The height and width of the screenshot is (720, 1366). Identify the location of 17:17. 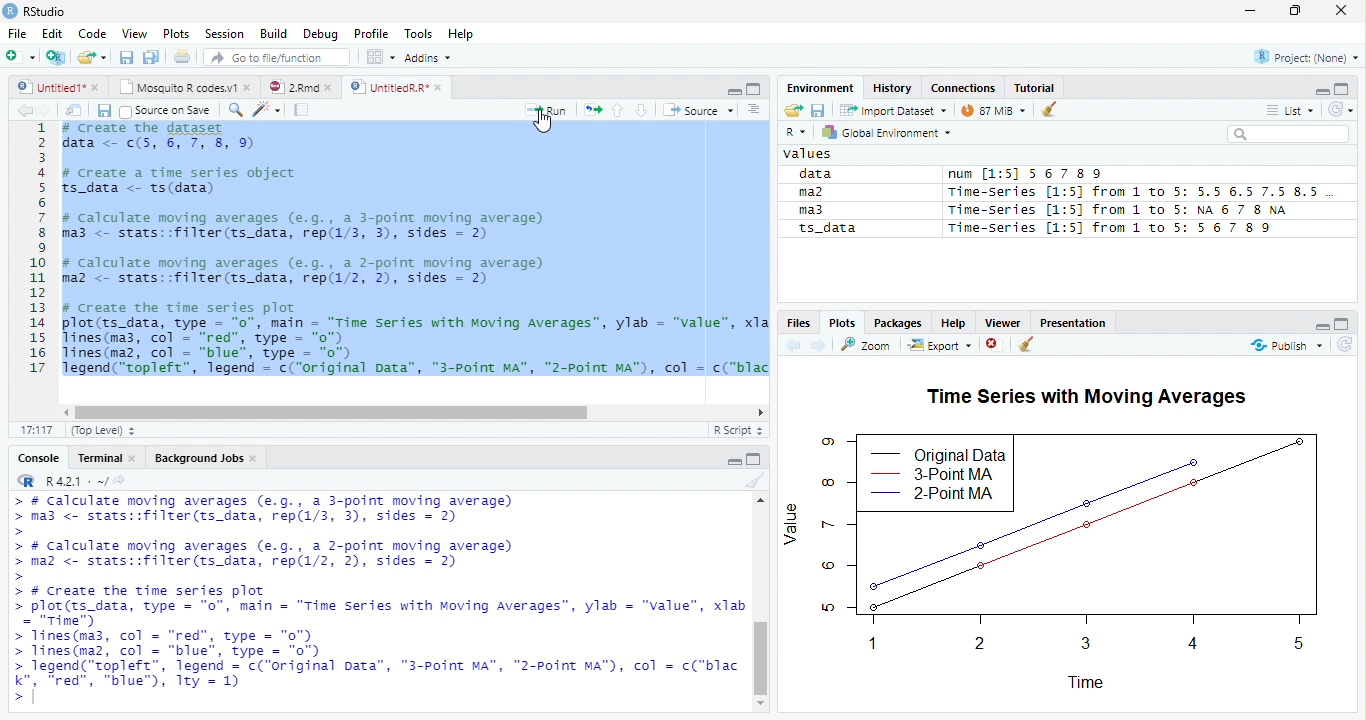
(37, 431).